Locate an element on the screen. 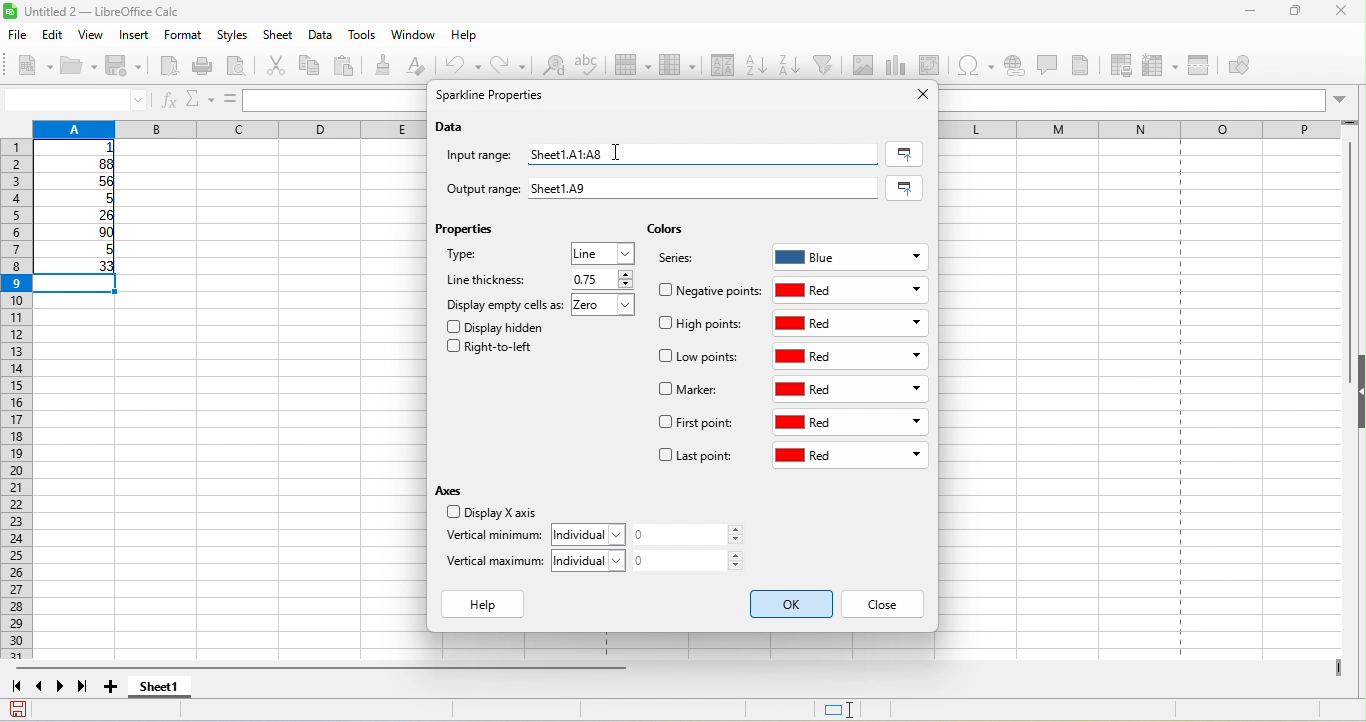 The width and height of the screenshot is (1366, 722). blue is located at coordinates (851, 254).